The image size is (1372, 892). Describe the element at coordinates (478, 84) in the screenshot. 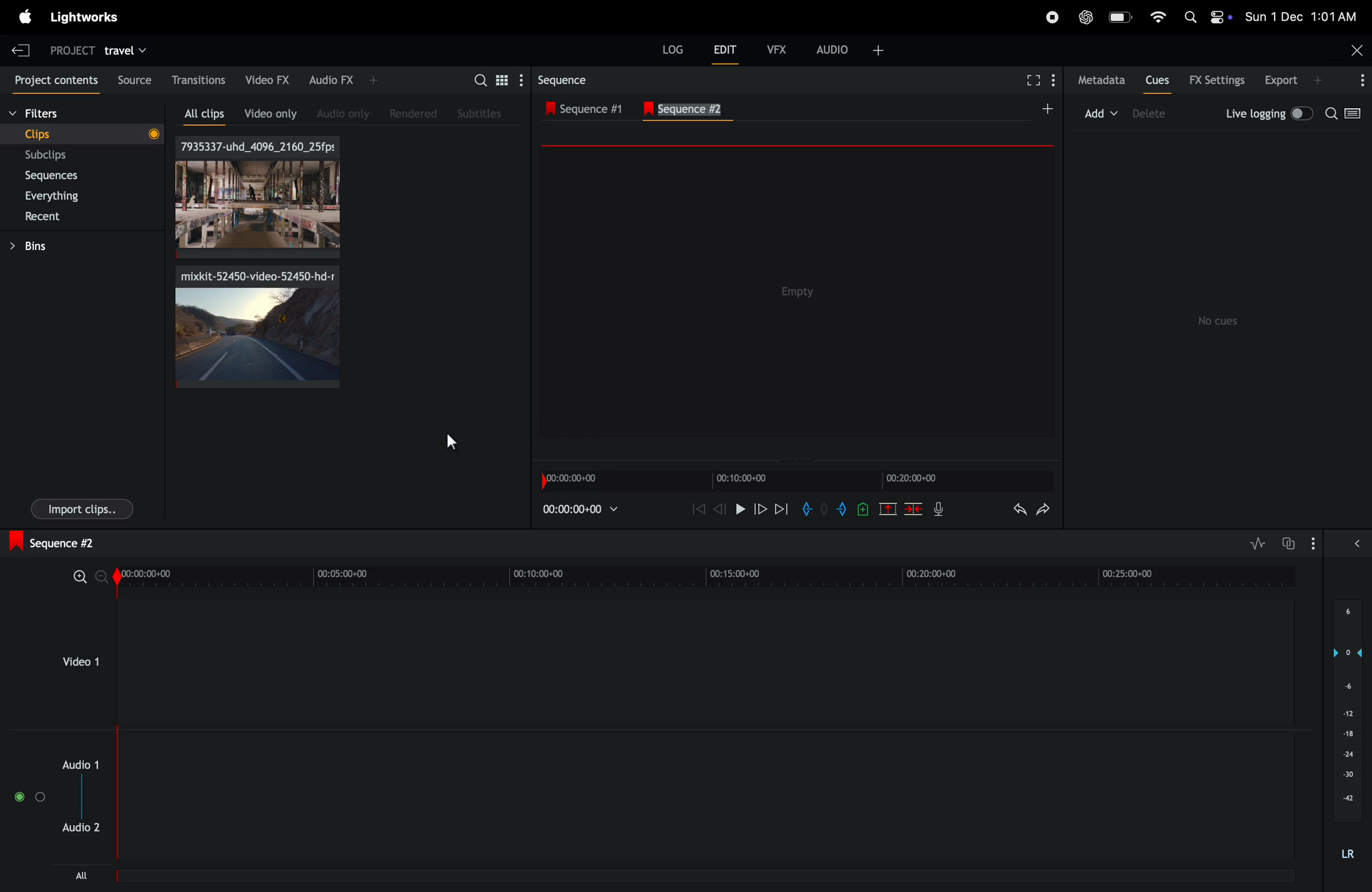

I see `search for assets bins` at that location.